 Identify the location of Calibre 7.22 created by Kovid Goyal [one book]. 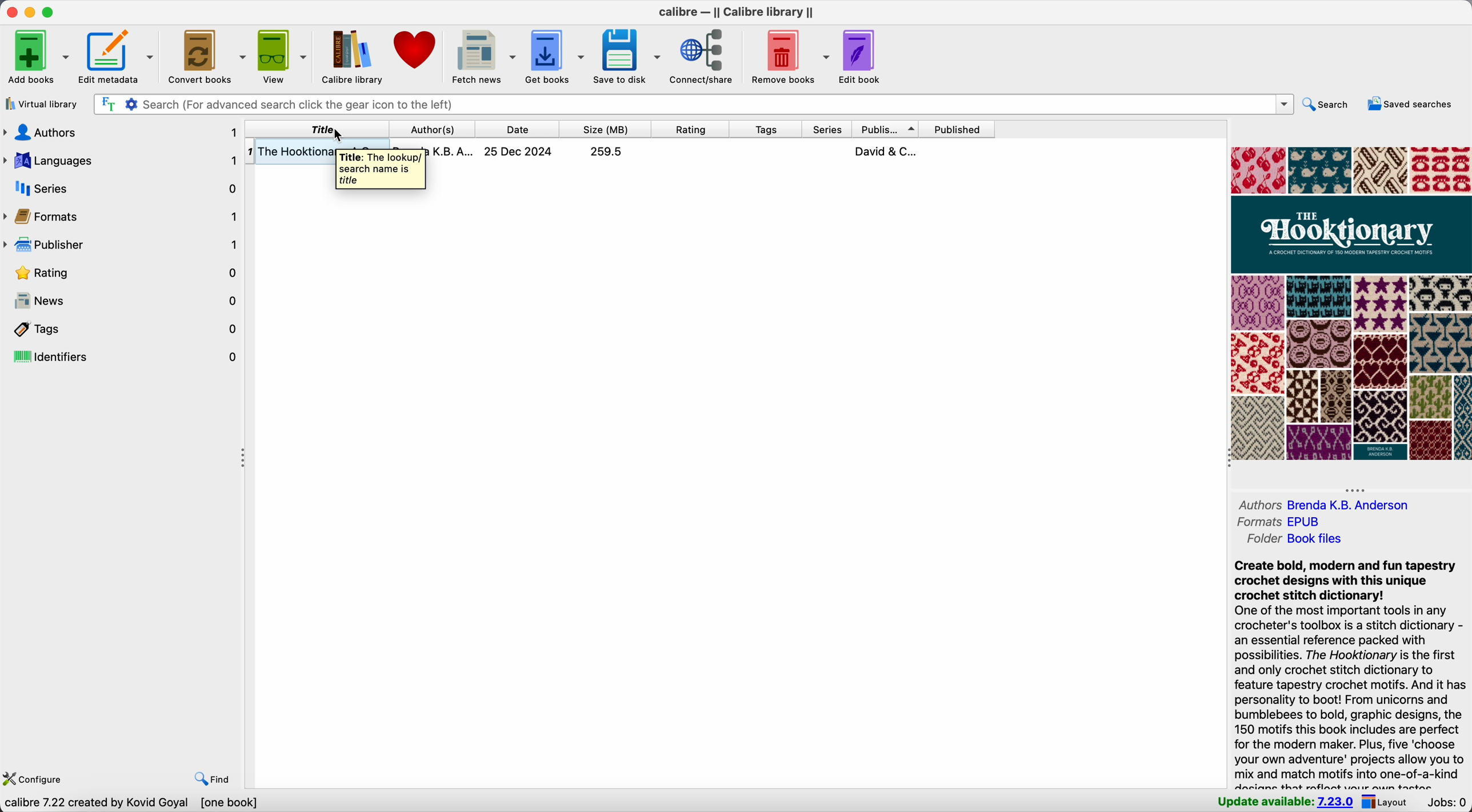
(131, 802).